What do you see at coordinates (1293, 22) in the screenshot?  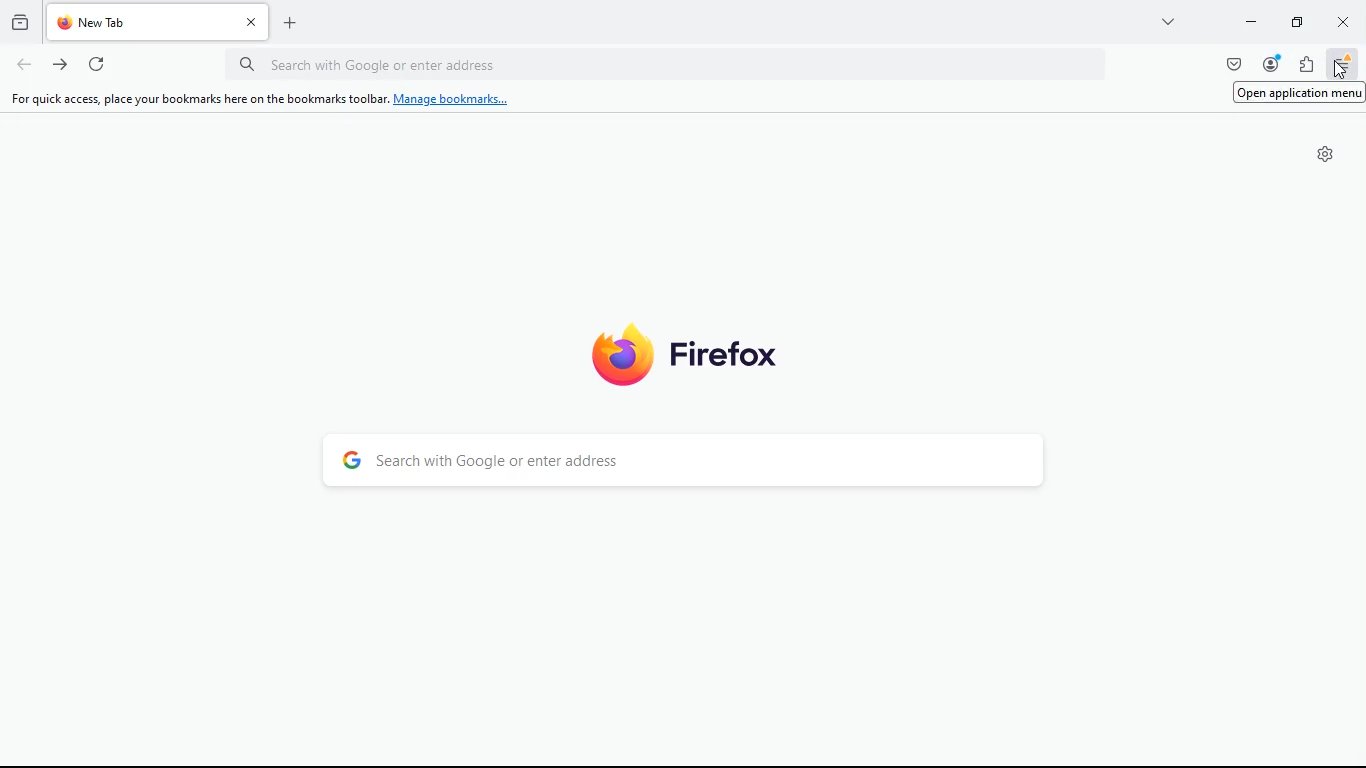 I see `maximize` at bounding box center [1293, 22].